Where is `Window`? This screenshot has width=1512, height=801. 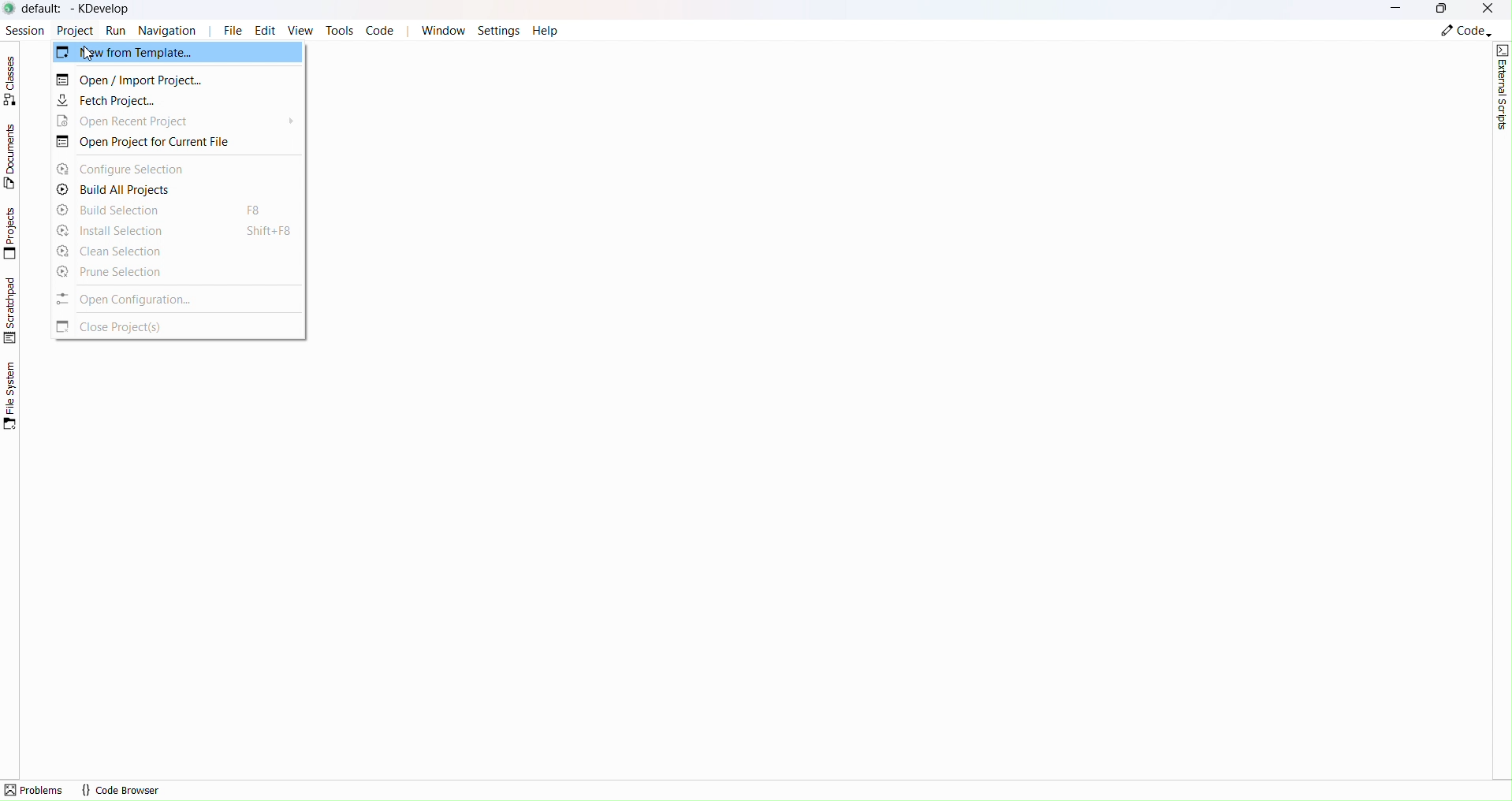
Window is located at coordinates (442, 30).